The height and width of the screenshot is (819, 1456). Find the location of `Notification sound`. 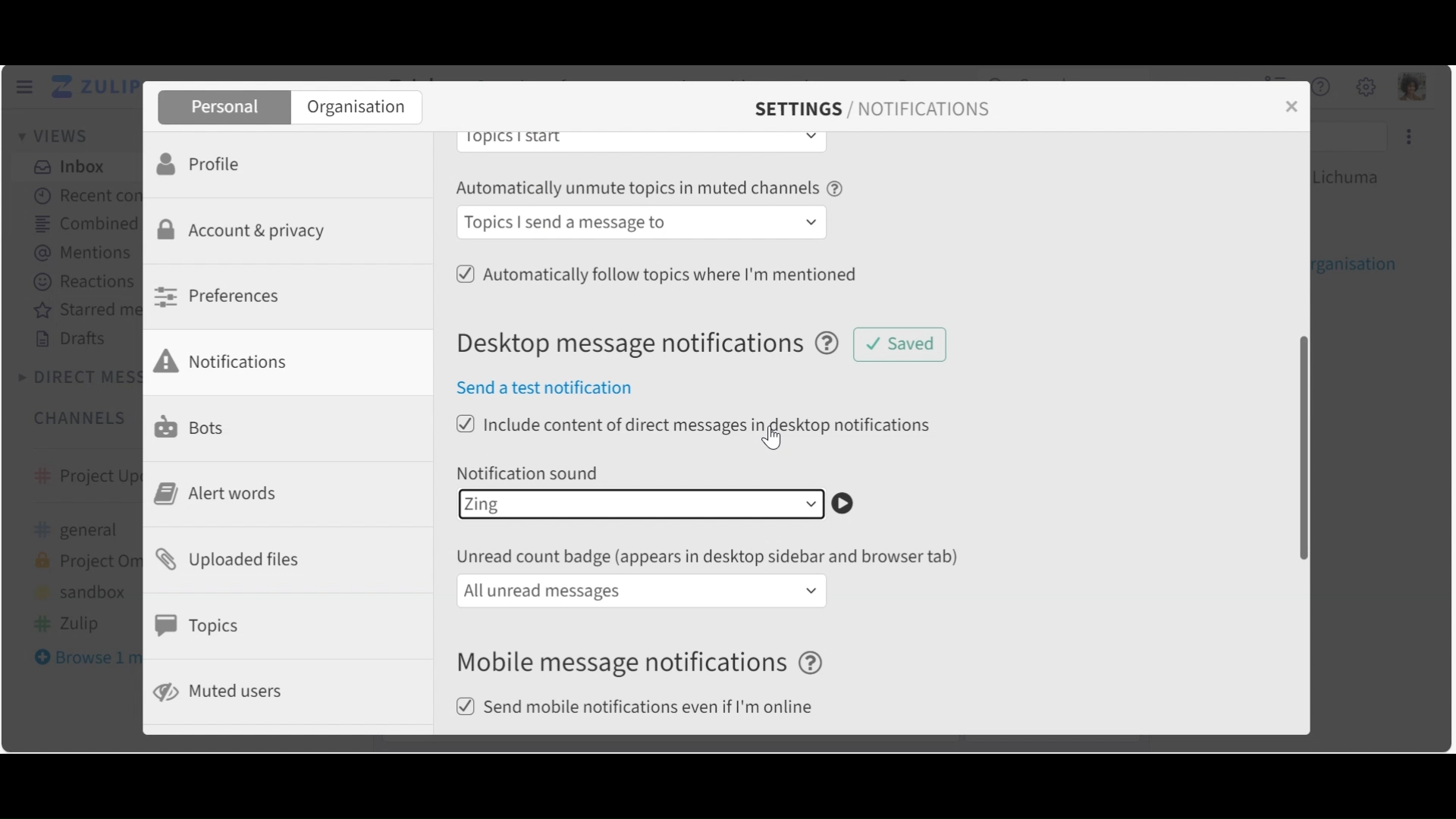

Notification sound is located at coordinates (530, 472).